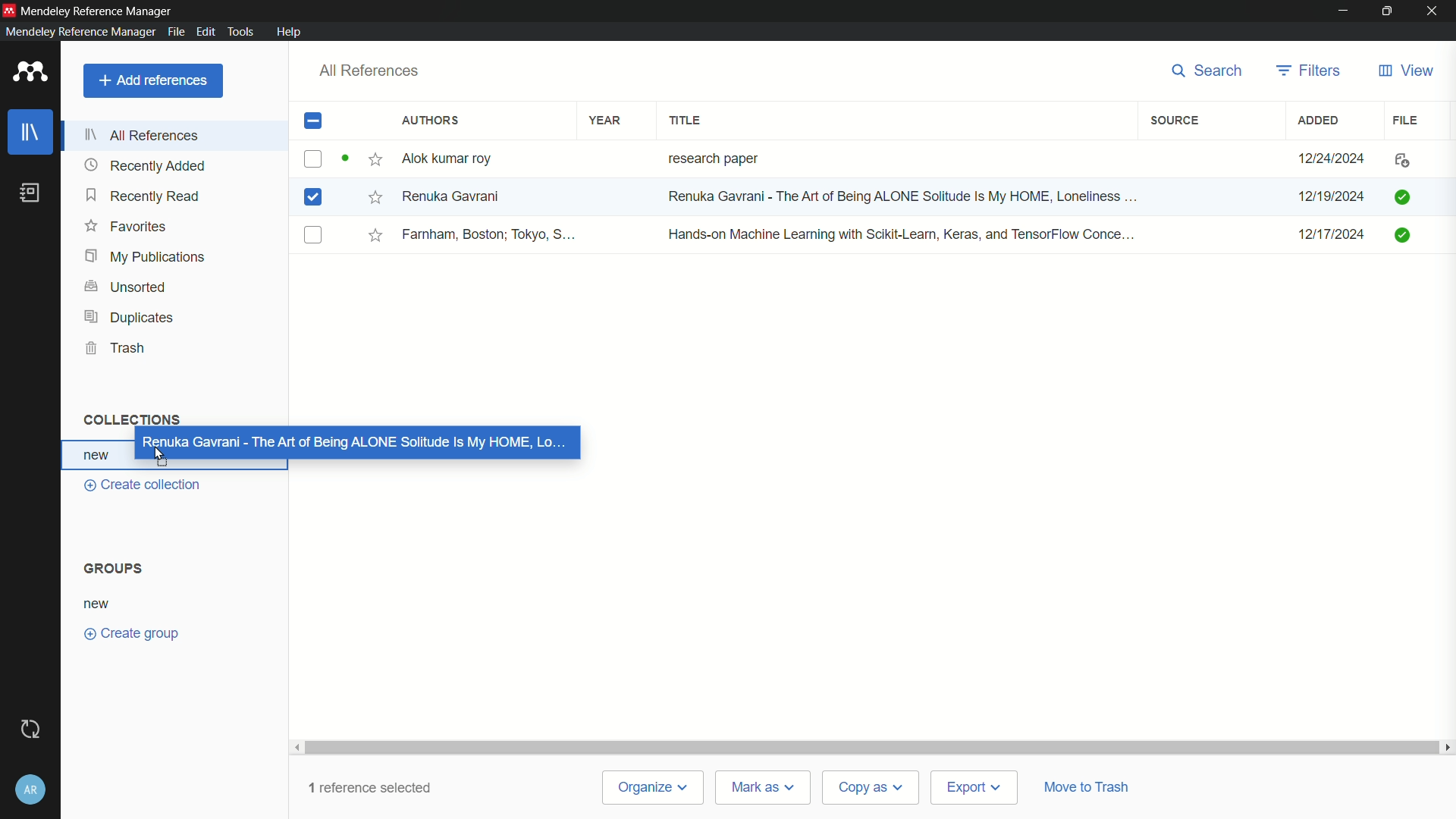 The image size is (1456, 819). Describe the element at coordinates (1341, 11) in the screenshot. I see `minimize` at that location.